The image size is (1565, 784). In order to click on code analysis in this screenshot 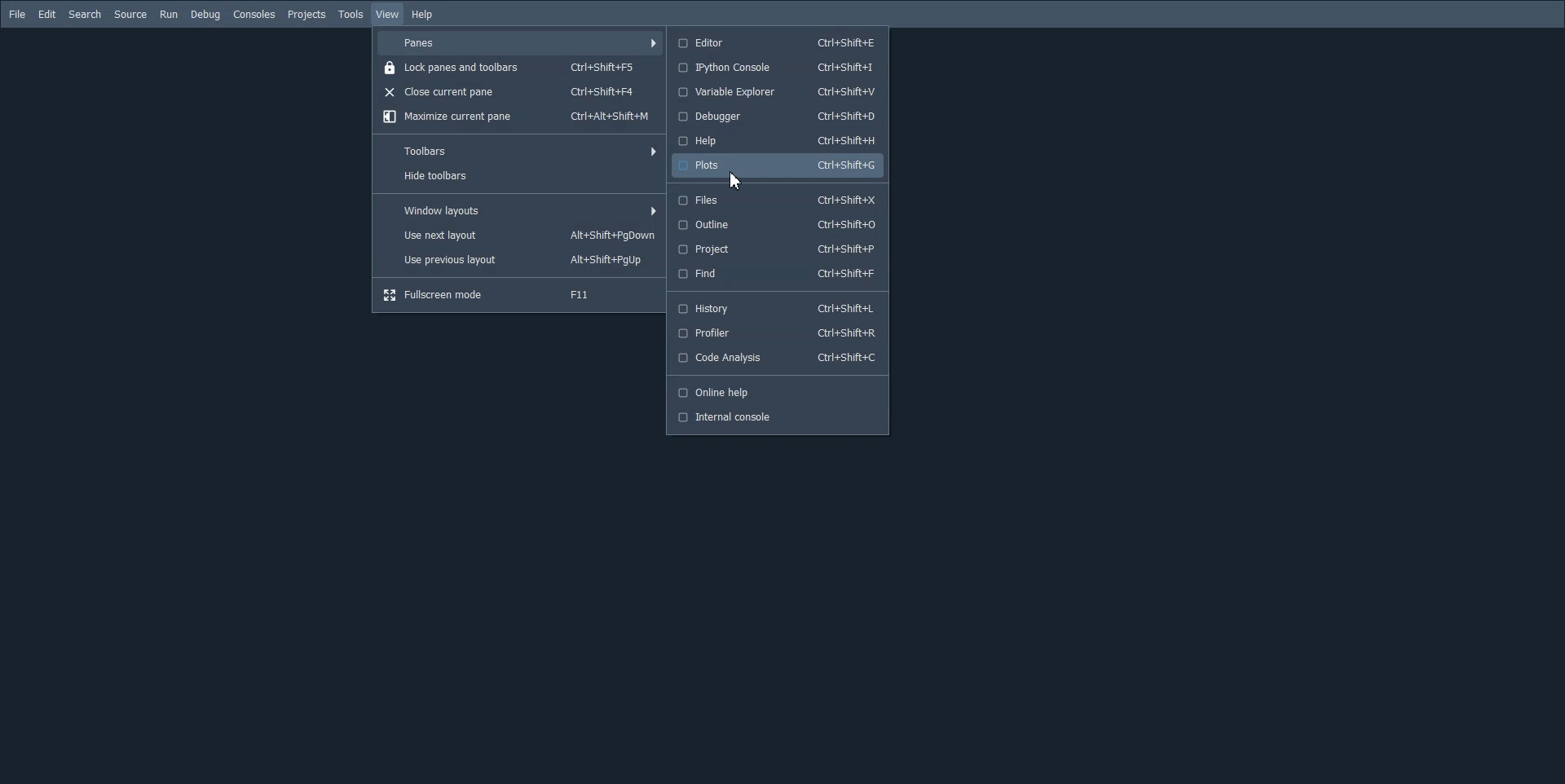, I will do `click(778, 359)`.